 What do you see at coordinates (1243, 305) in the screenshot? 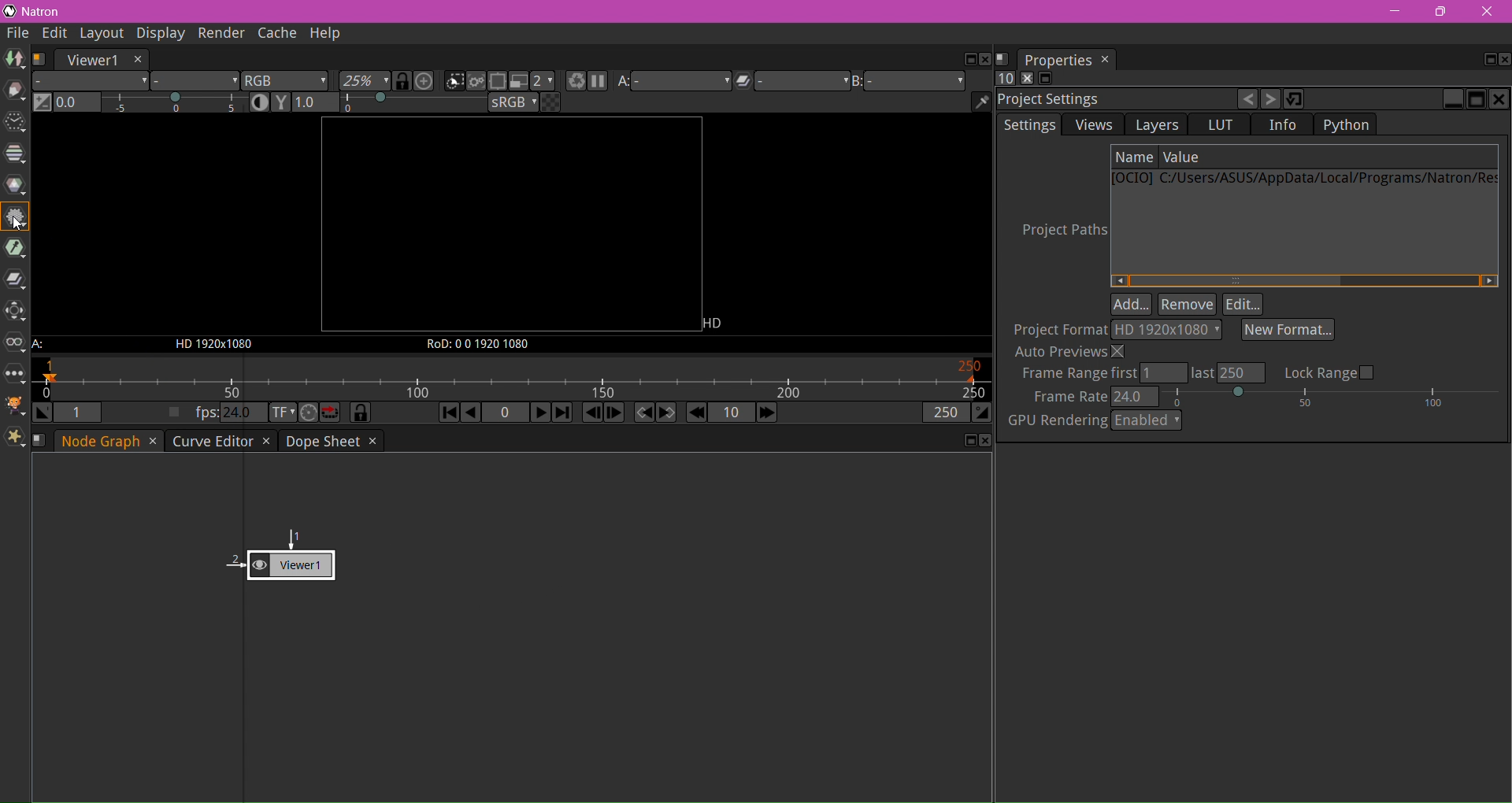
I see `Edit` at bounding box center [1243, 305].